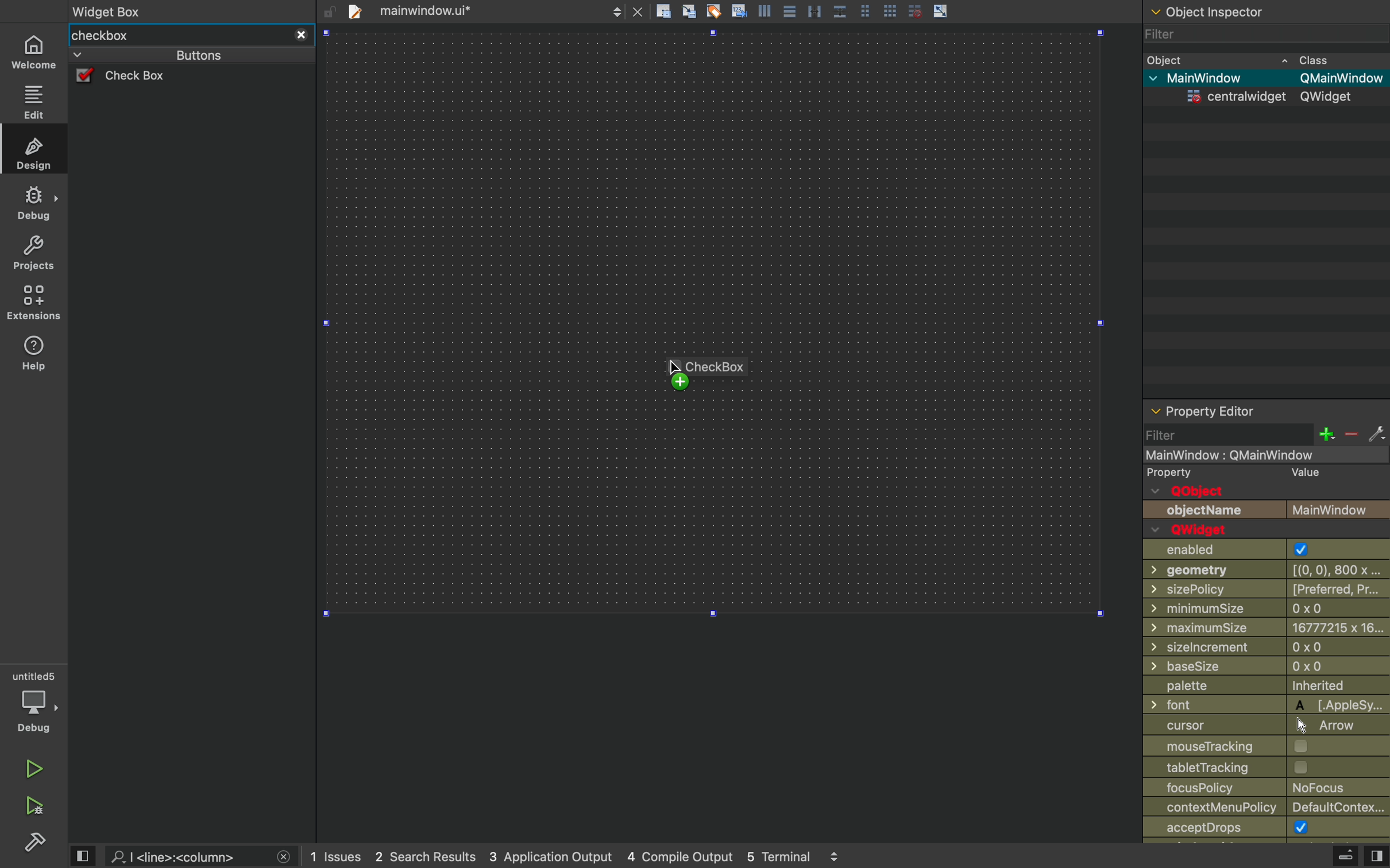 The image size is (1390, 868). Describe the element at coordinates (713, 10) in the screenshot. I see `tagging` at that location.